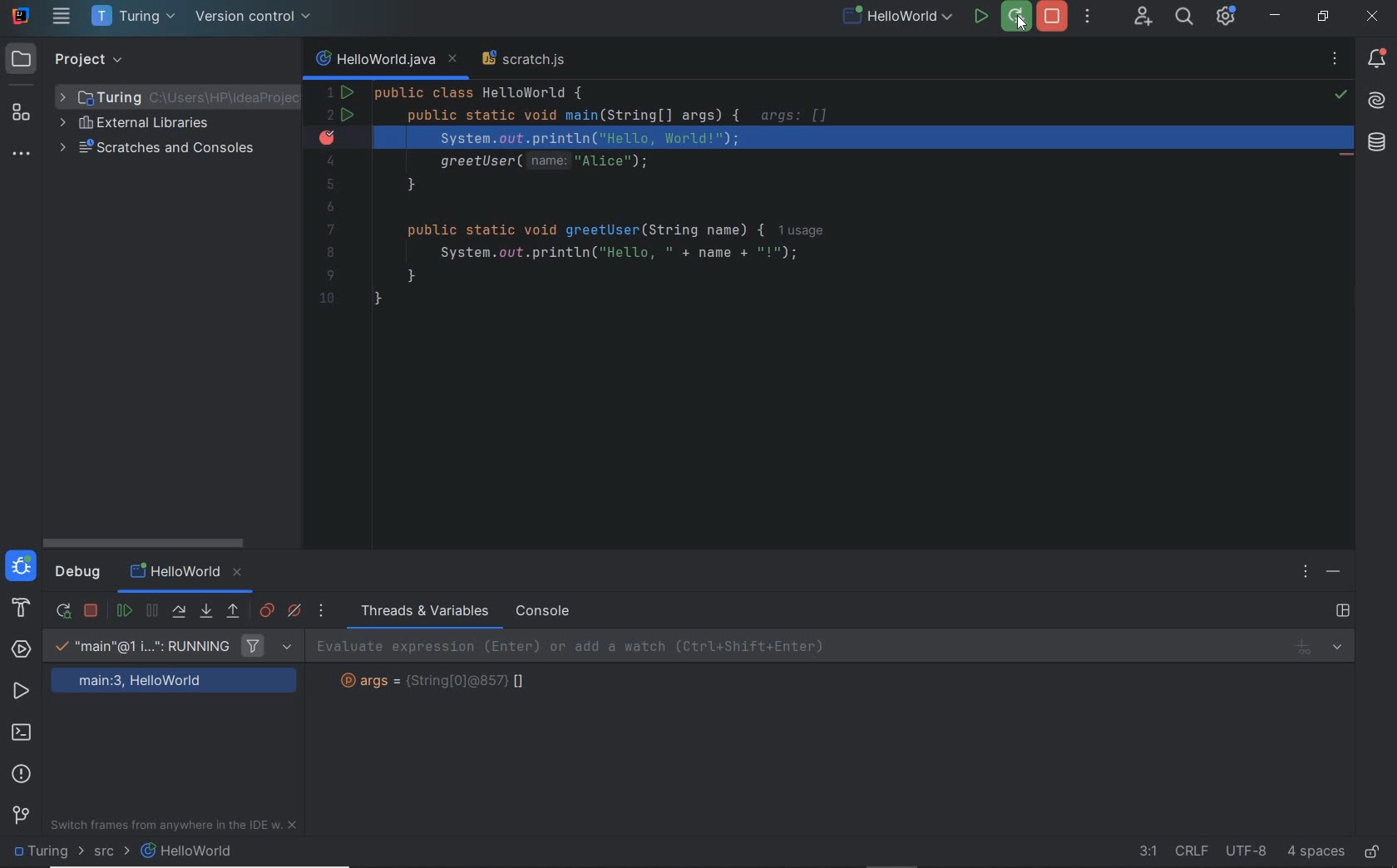  What do you see at coordinates (544, 611) in the screenshot?
I see `console` at bounding box center [544, 611].